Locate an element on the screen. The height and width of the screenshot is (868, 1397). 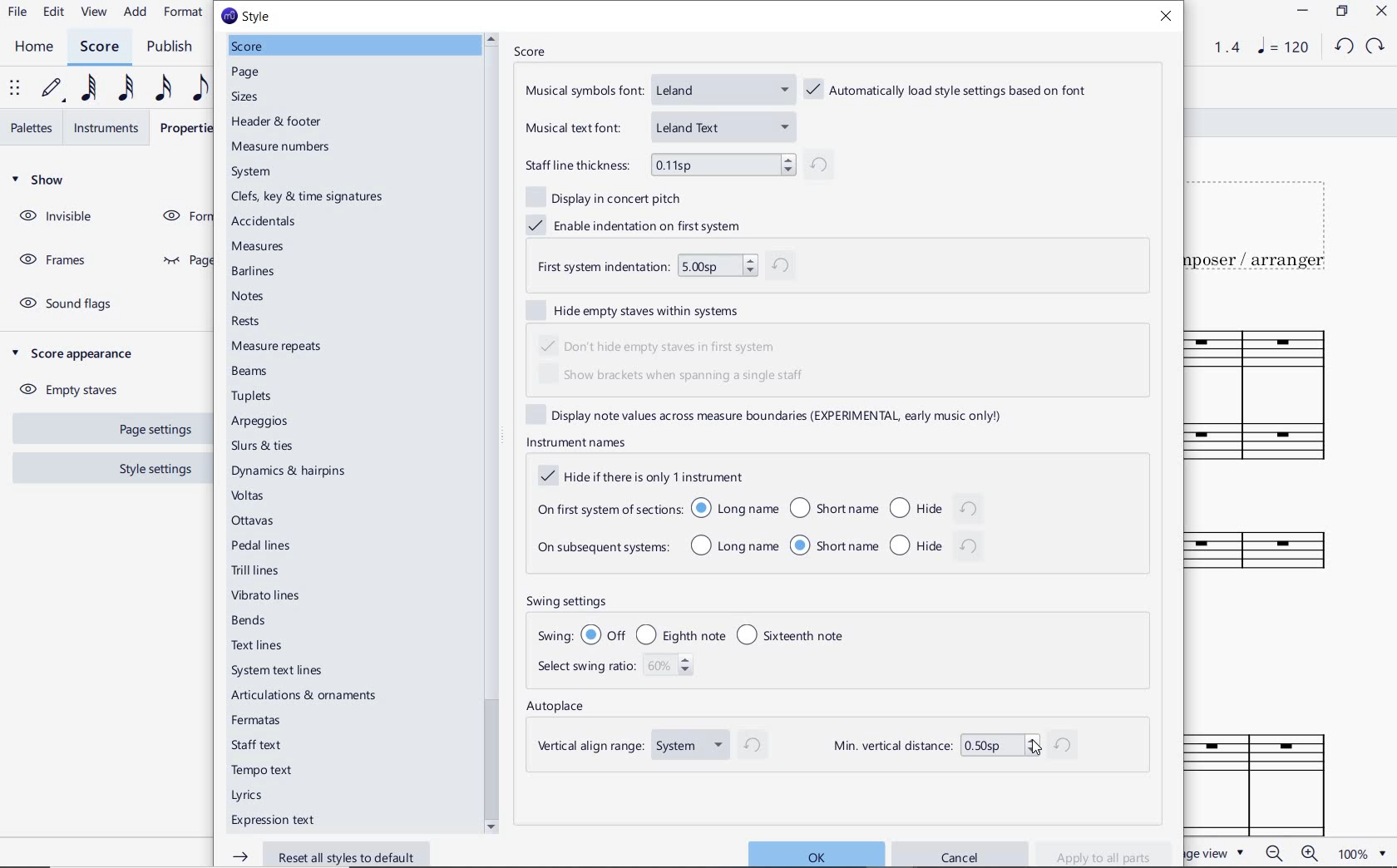
articulations & ornaments is located at coordinates (306, 697).